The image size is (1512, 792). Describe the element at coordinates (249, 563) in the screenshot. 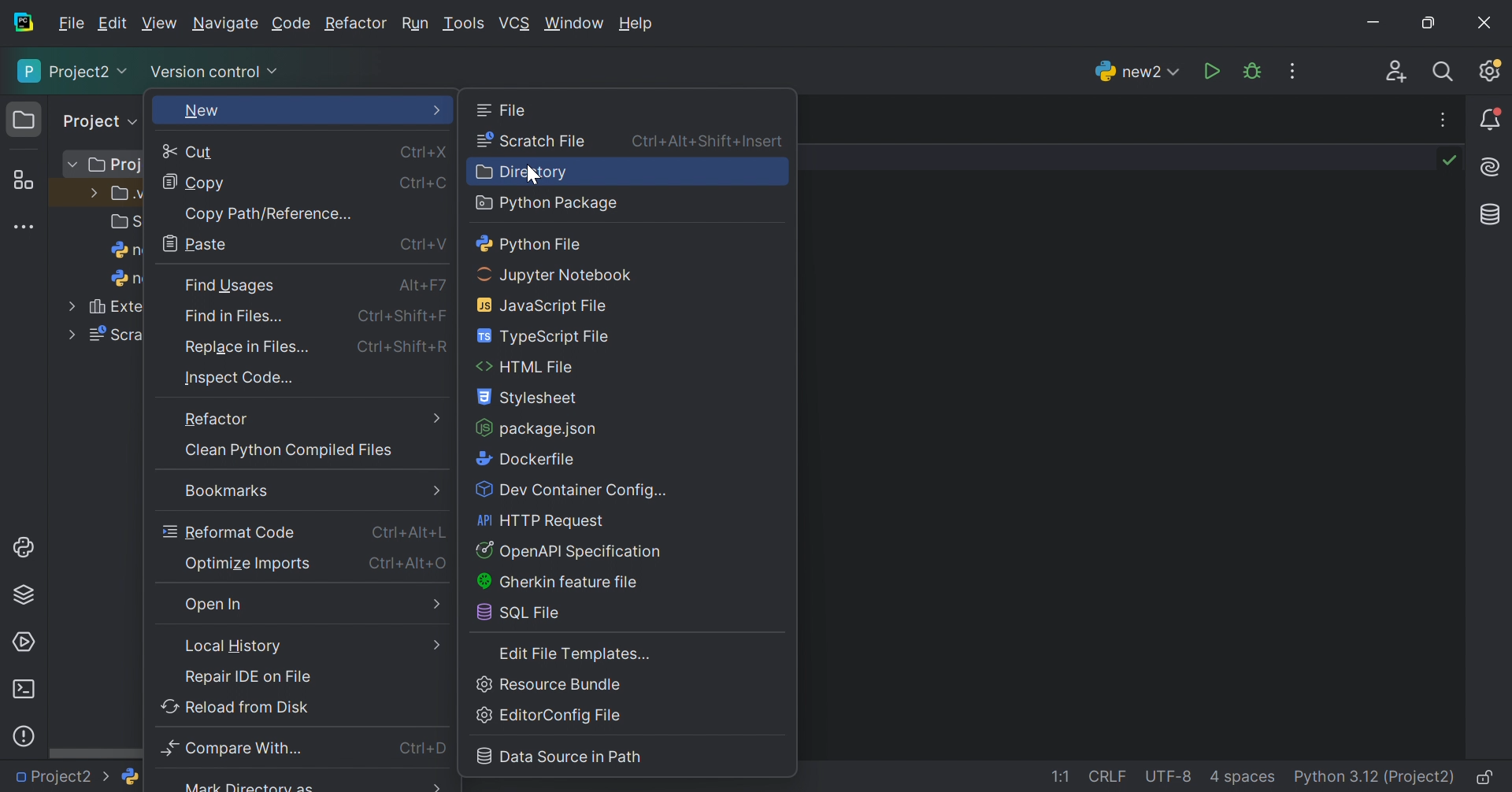

I see `Optimize imports` at that location.